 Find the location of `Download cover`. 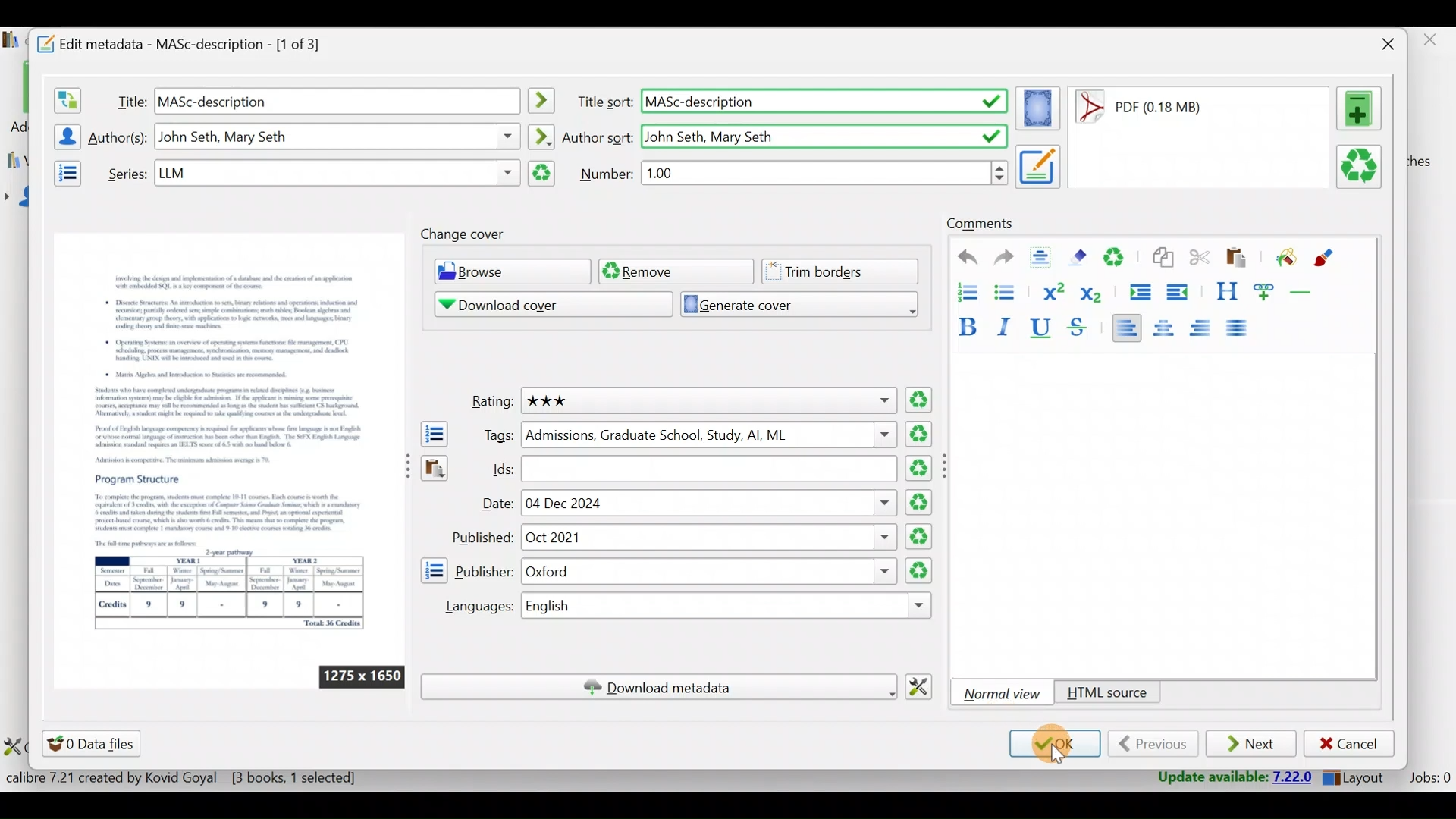

Download cover is located at coordinates (542, 304).